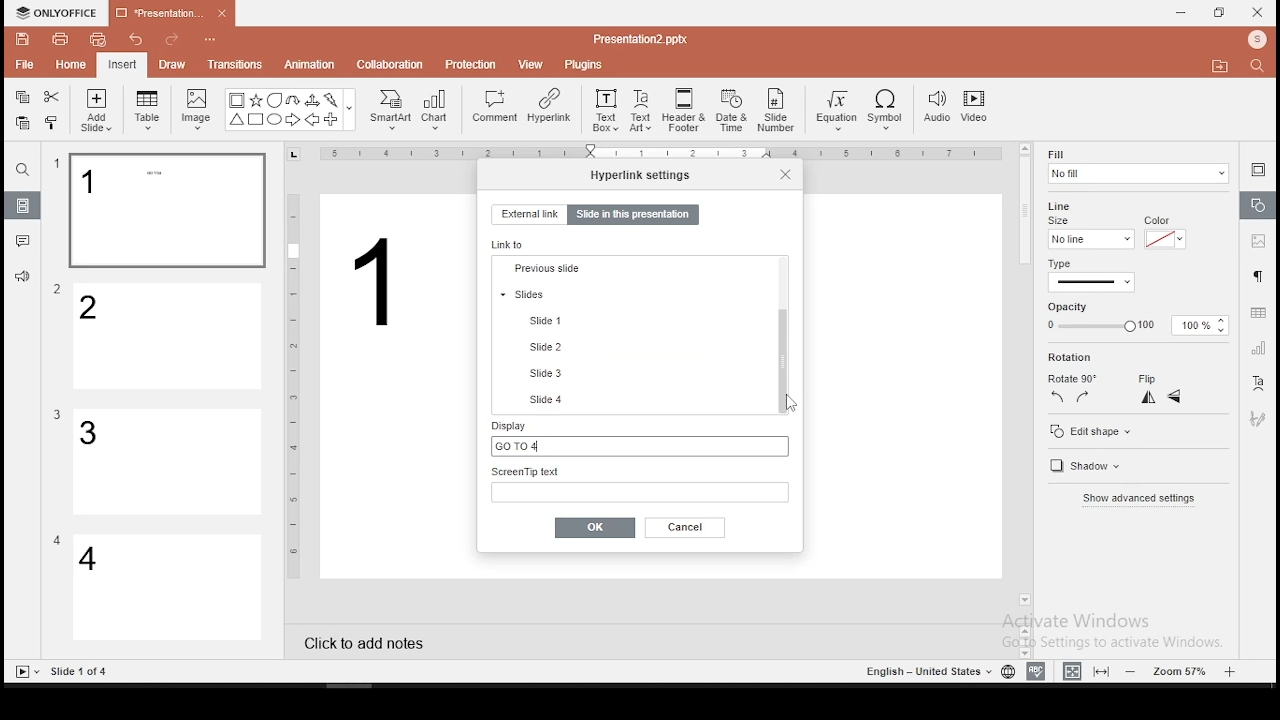  Describe the element at coordinates (165, 462) in the screenshot. I see `slide 3` at that location.